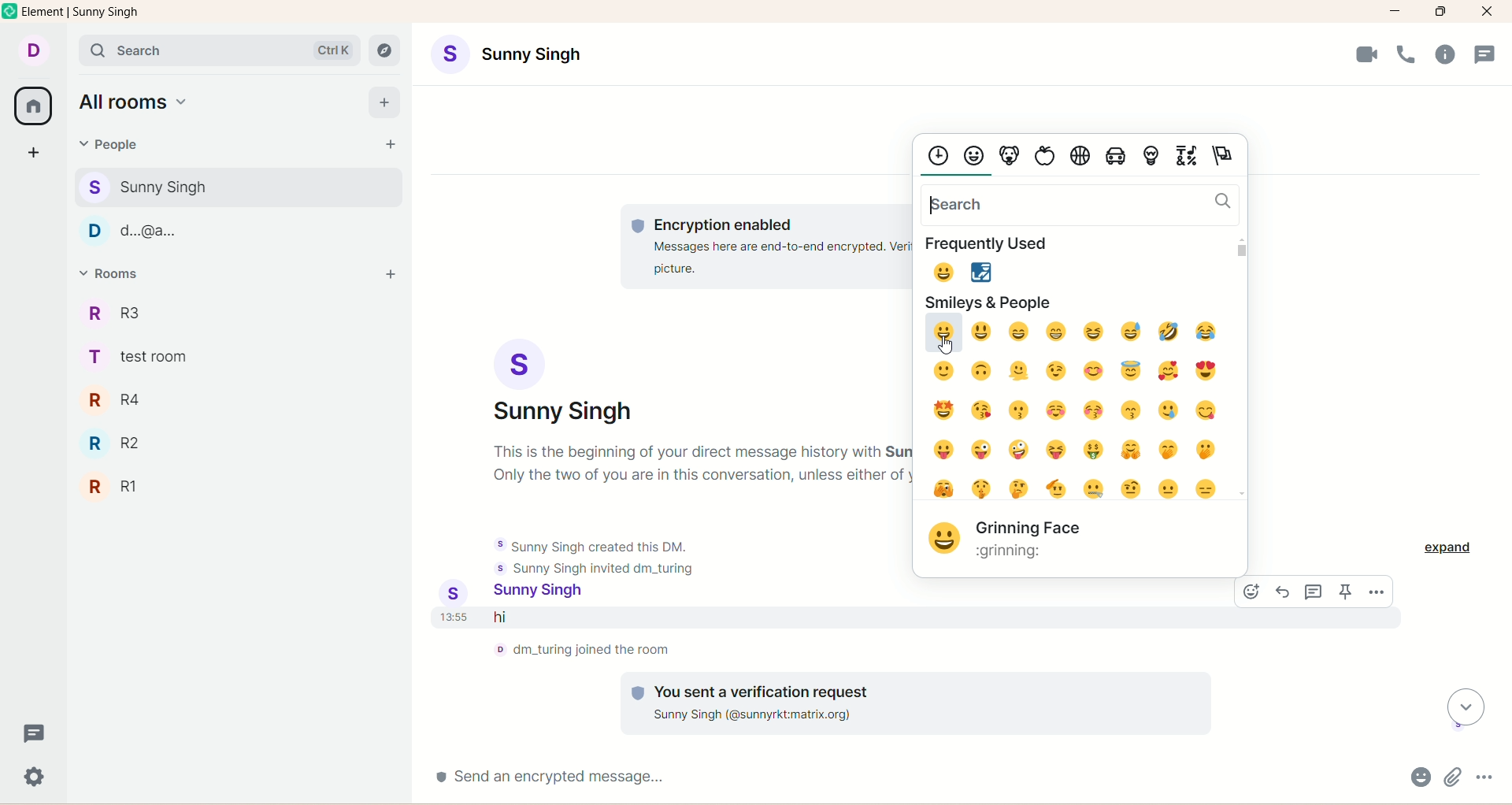 The width and height of the screenshot is (1512, 805). I want to click on Upside-down face, so click(980, 370).